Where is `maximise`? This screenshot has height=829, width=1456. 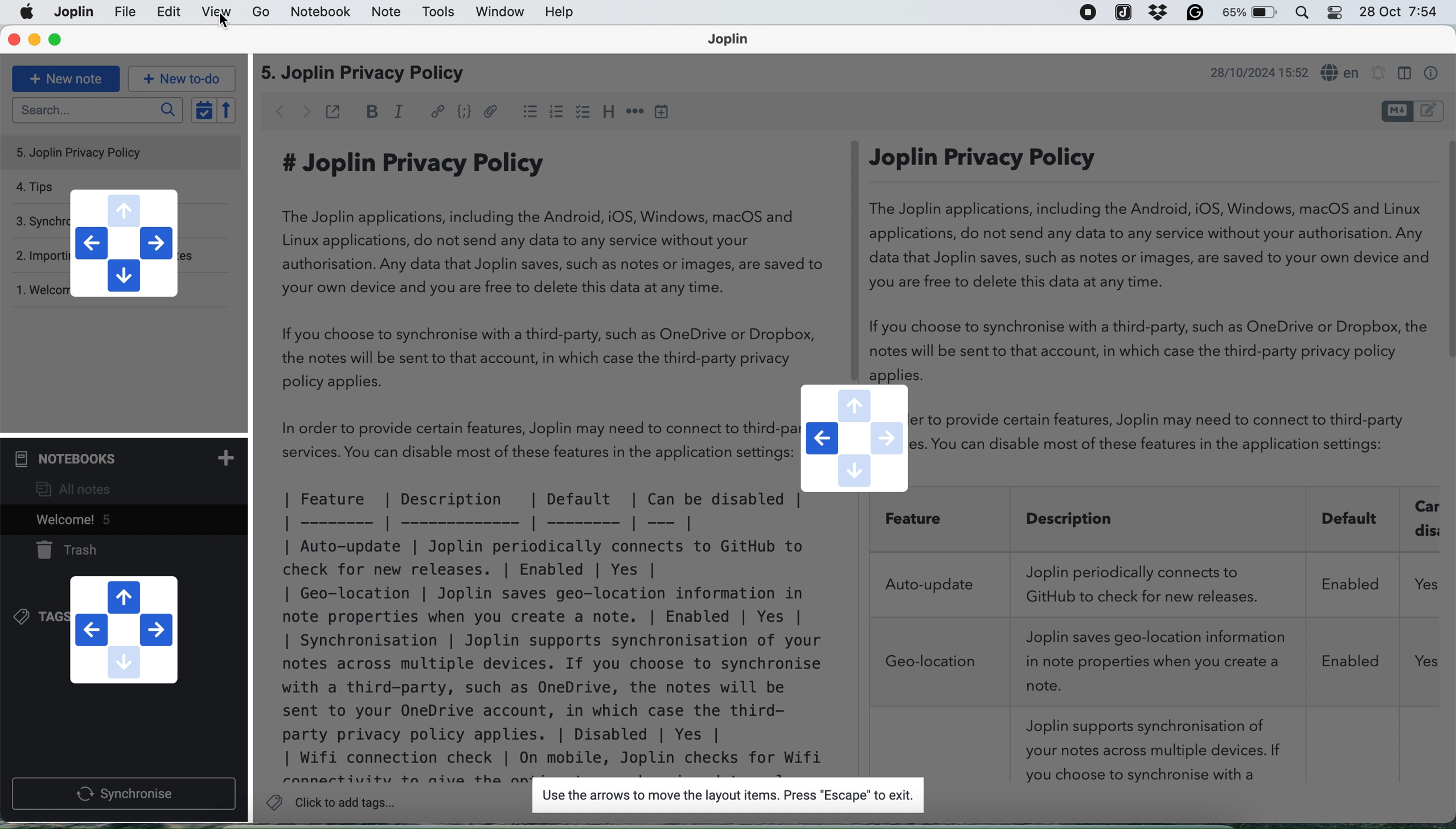 maximise is located at coordinates (55, 40).